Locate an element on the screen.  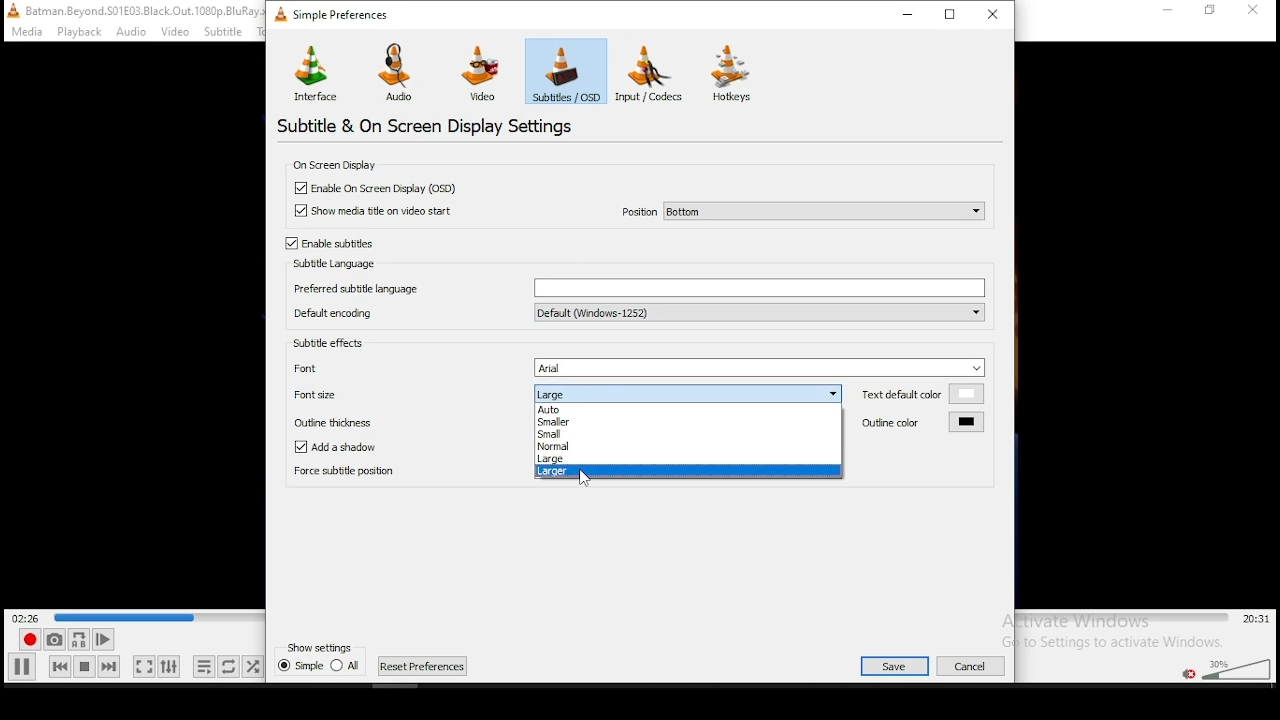
interface is located at coordinates (313, 72).